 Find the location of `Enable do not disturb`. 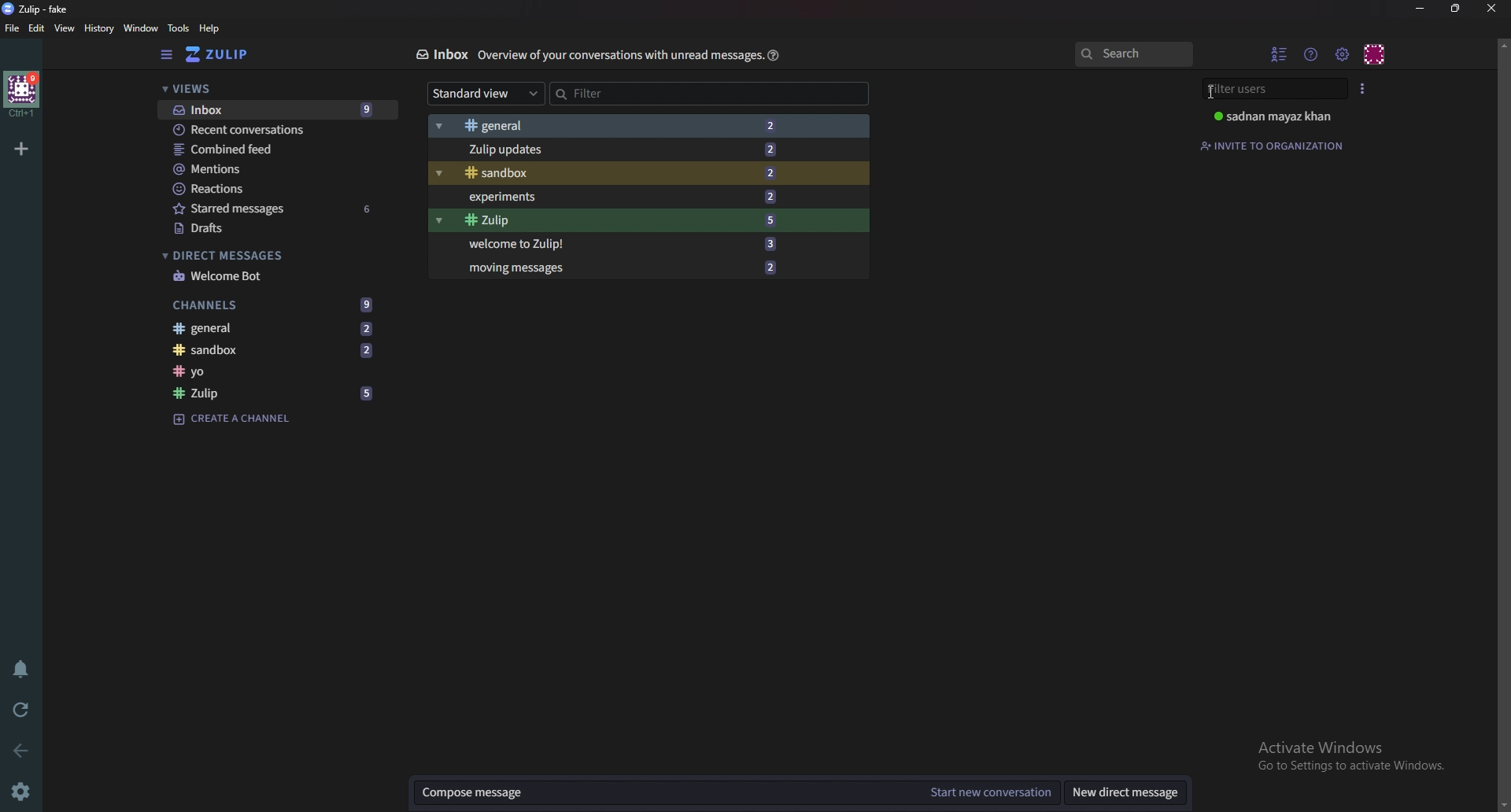

Enable do not disturb is located at coordinates (24, 668).